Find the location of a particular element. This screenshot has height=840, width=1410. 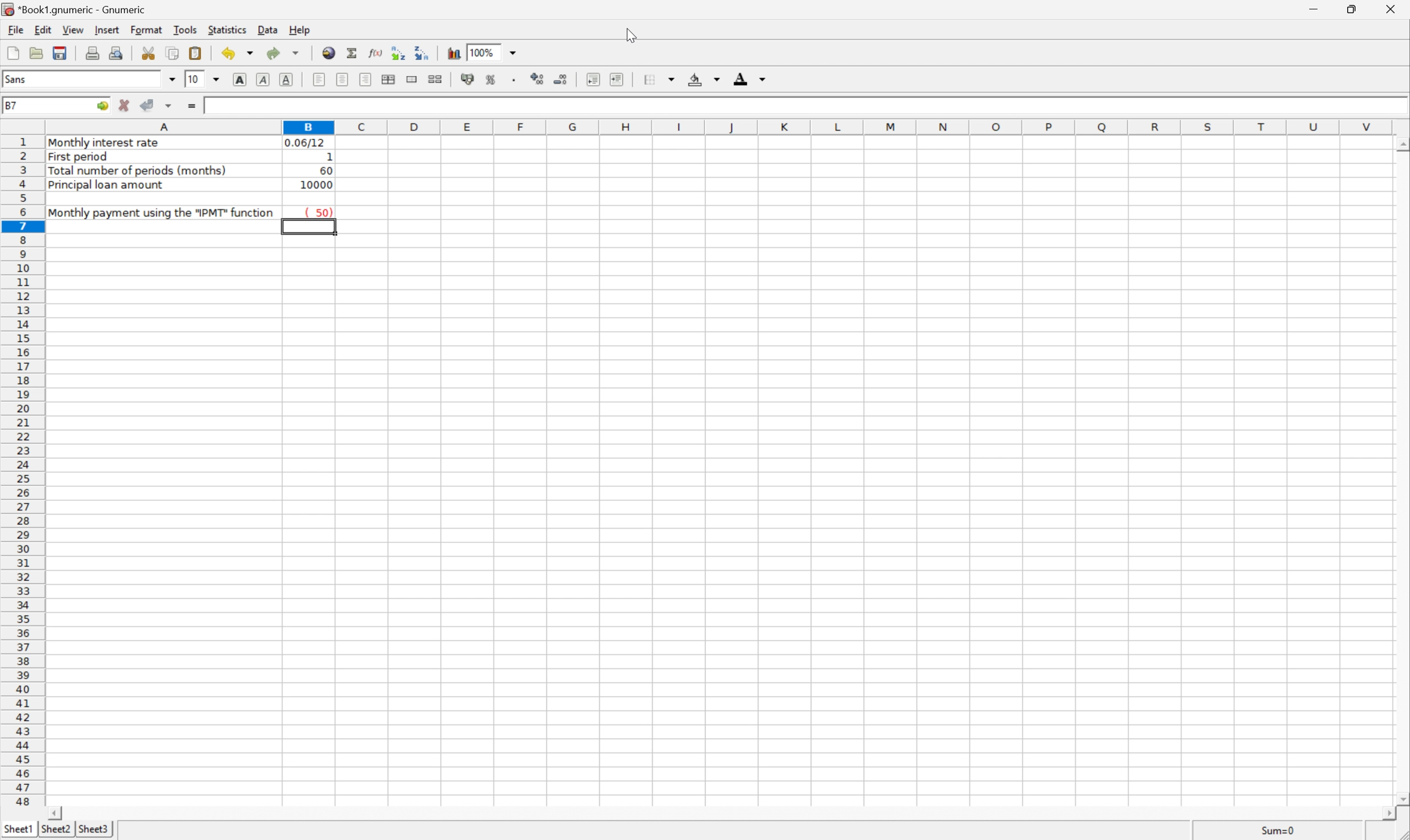

Sheet2 is located at coordinates (57, 829).